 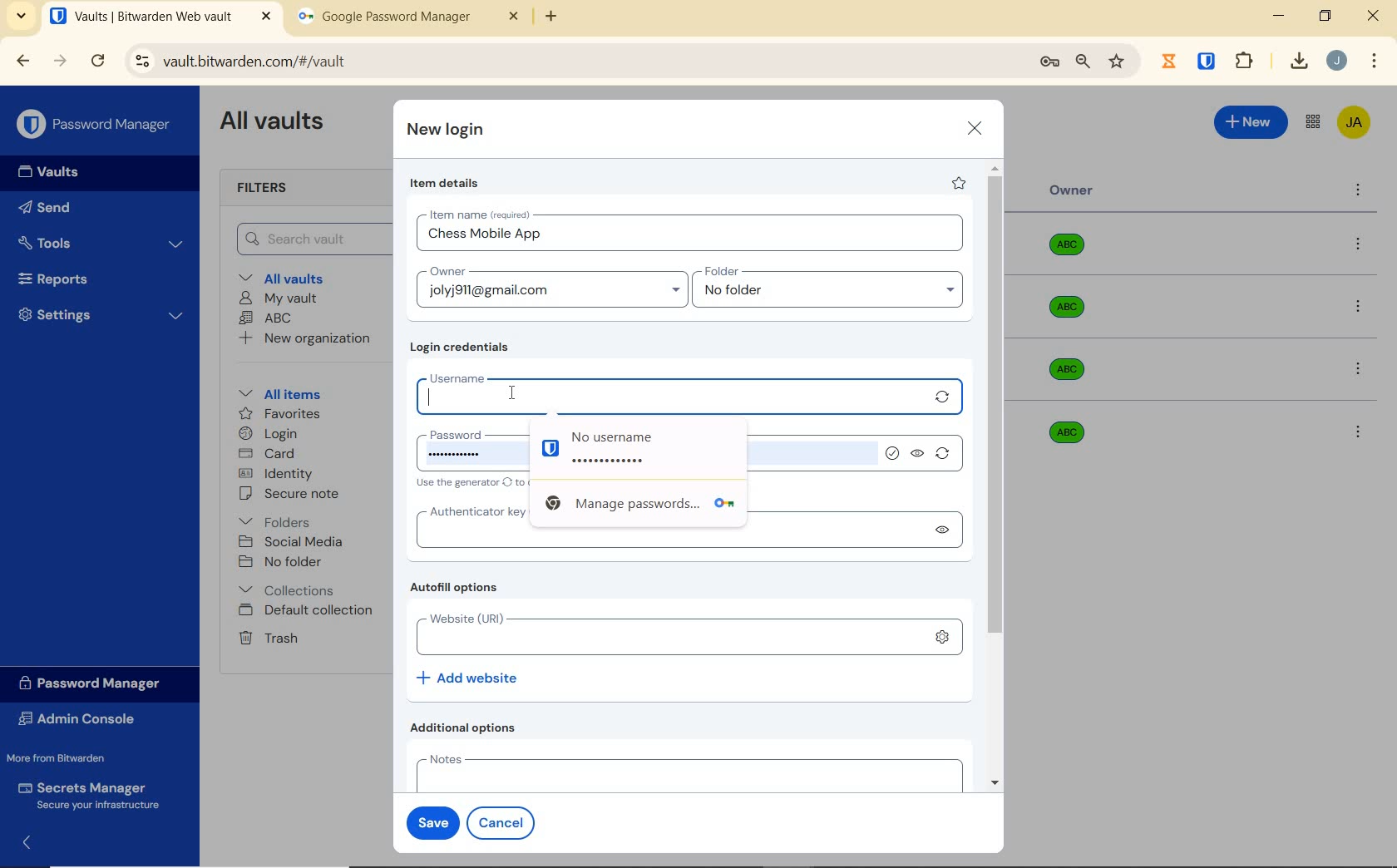 I want to click on Autofill options, so click(x=458, y=589).